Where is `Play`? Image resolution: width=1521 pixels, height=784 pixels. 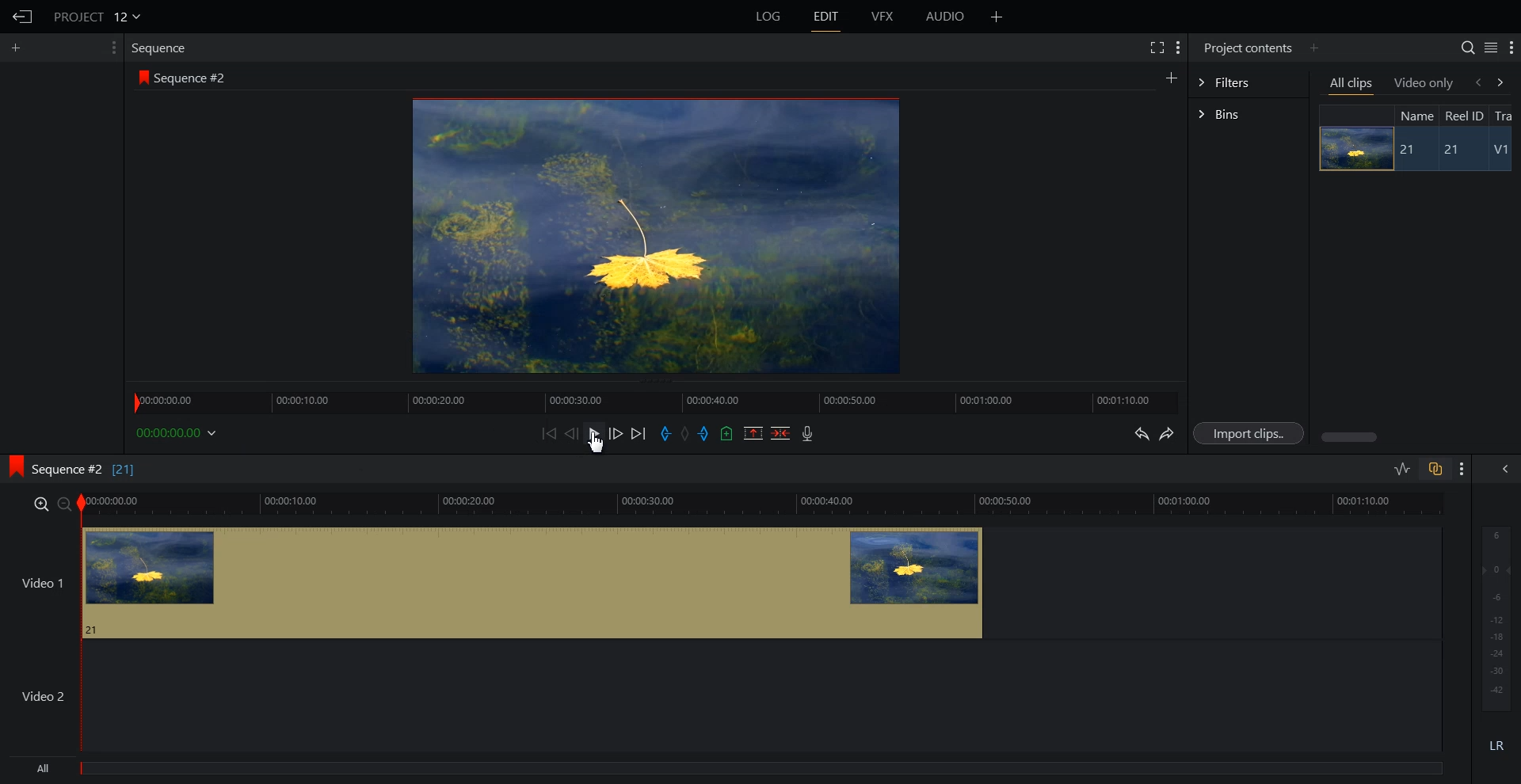 Play is located at coordinates (596, 433).